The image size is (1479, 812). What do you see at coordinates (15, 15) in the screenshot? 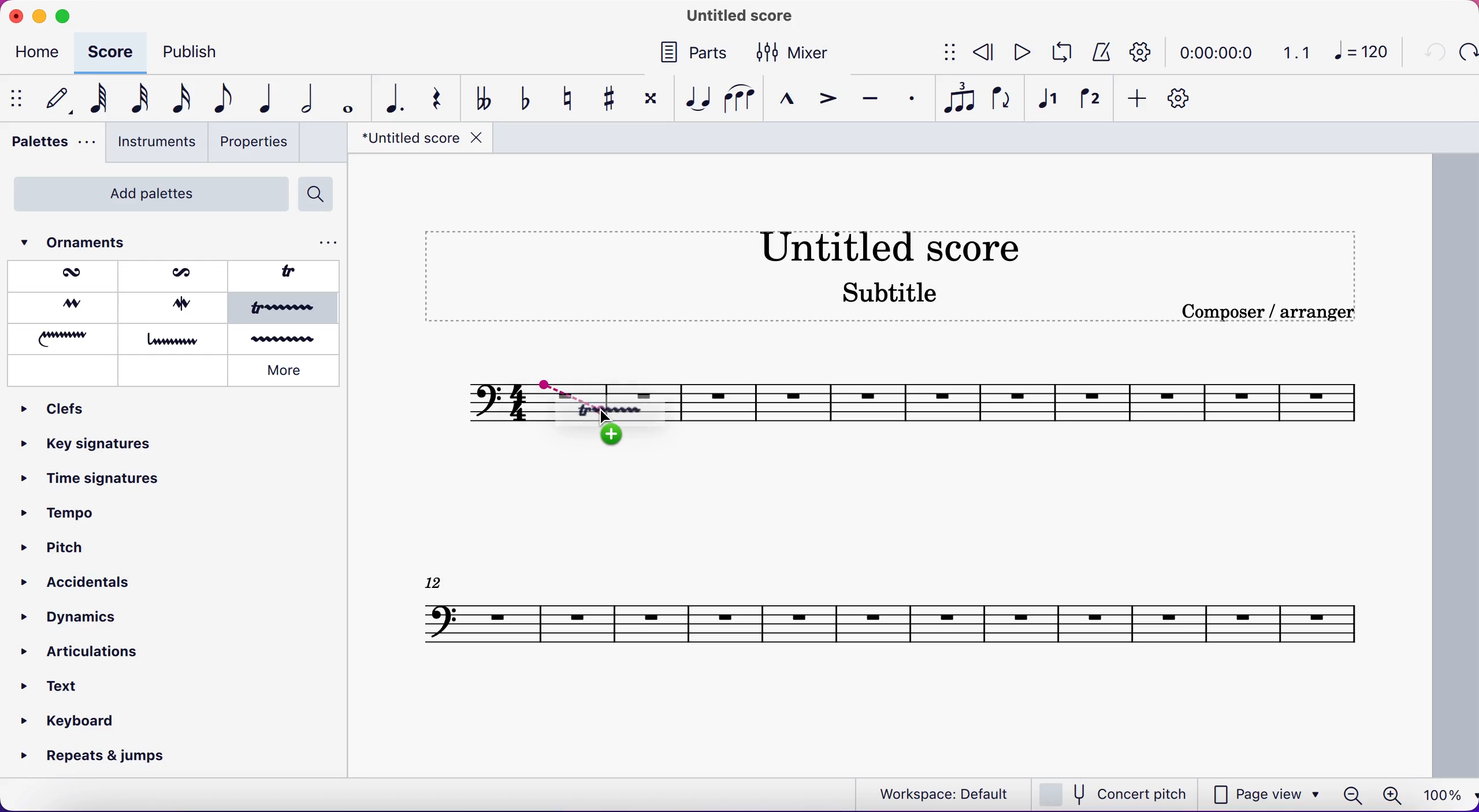
I see `close` at bounding box center [15, 15].